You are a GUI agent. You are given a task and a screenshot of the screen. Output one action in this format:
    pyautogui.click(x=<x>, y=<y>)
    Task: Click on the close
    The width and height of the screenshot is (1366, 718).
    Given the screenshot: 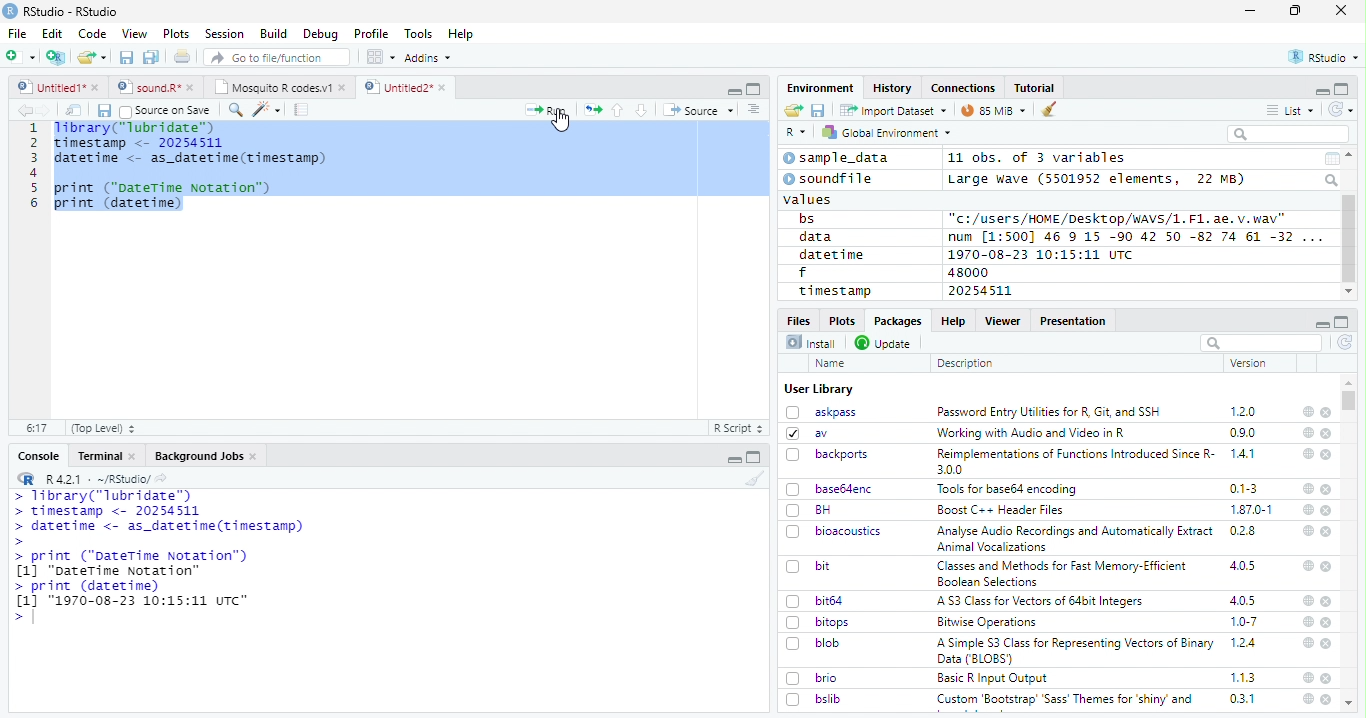 What is the action you would take?
    pyautogui.click(x=1328, y=510)
    